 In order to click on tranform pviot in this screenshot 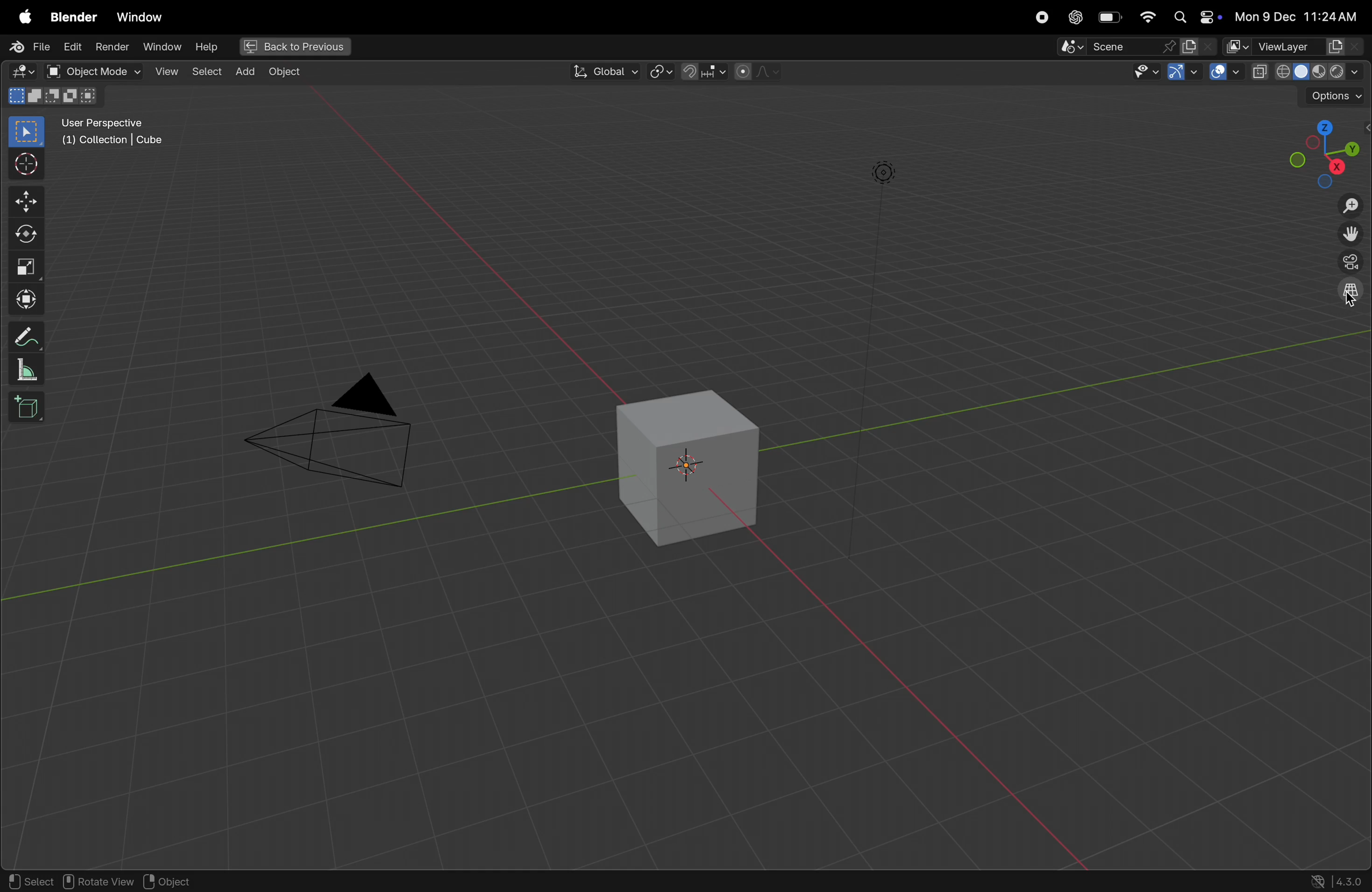, I will do `click(663, 72)`.